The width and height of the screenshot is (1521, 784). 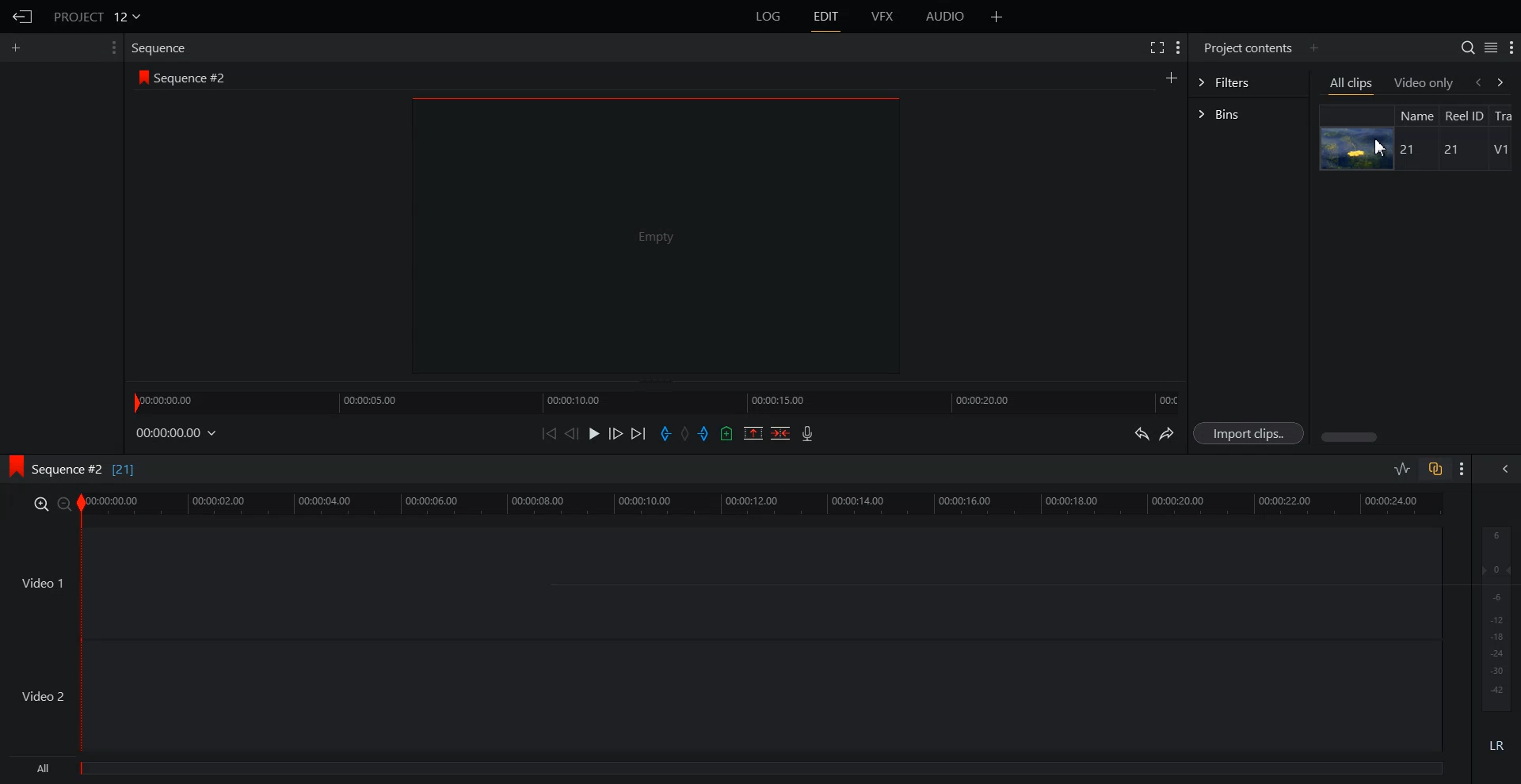 What do you see at coordinates (1313, 48) in the screenshot?
I see `Add Panel` at bounding box center [1313, 48].